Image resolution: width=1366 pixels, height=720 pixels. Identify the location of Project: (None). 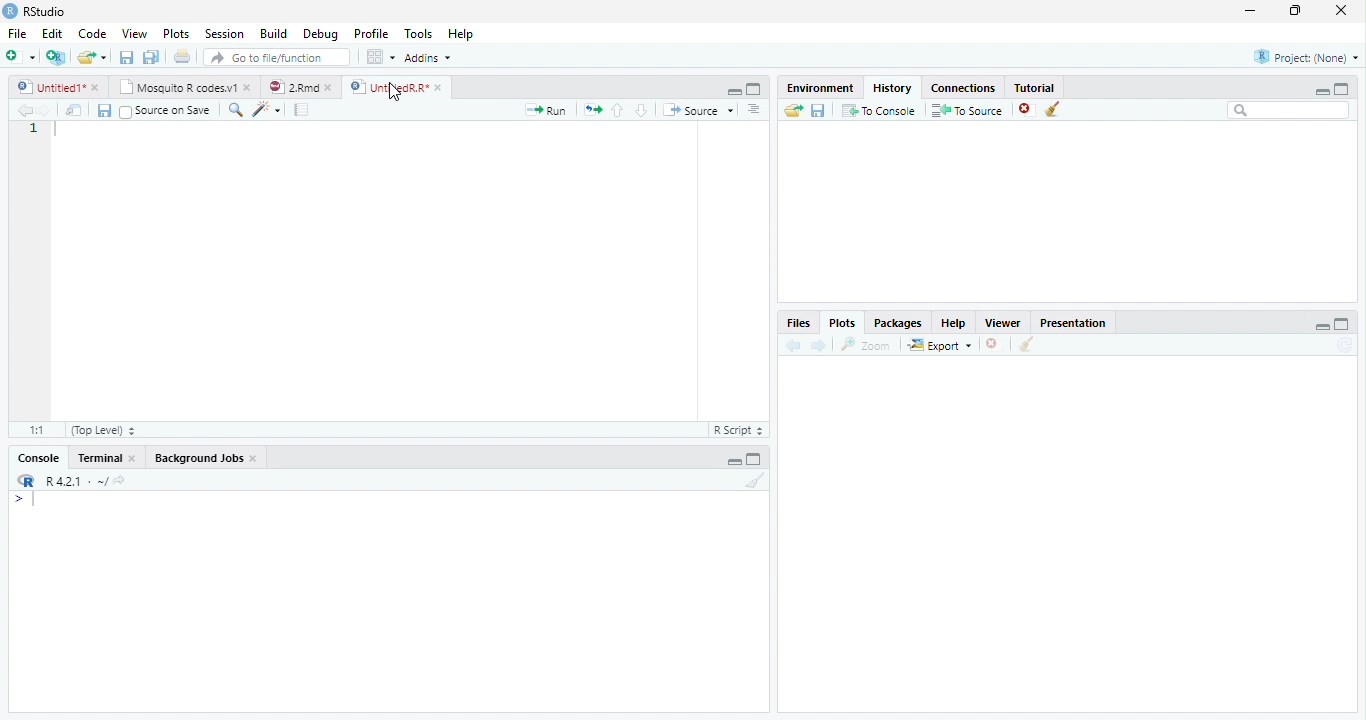
(1306, 57).